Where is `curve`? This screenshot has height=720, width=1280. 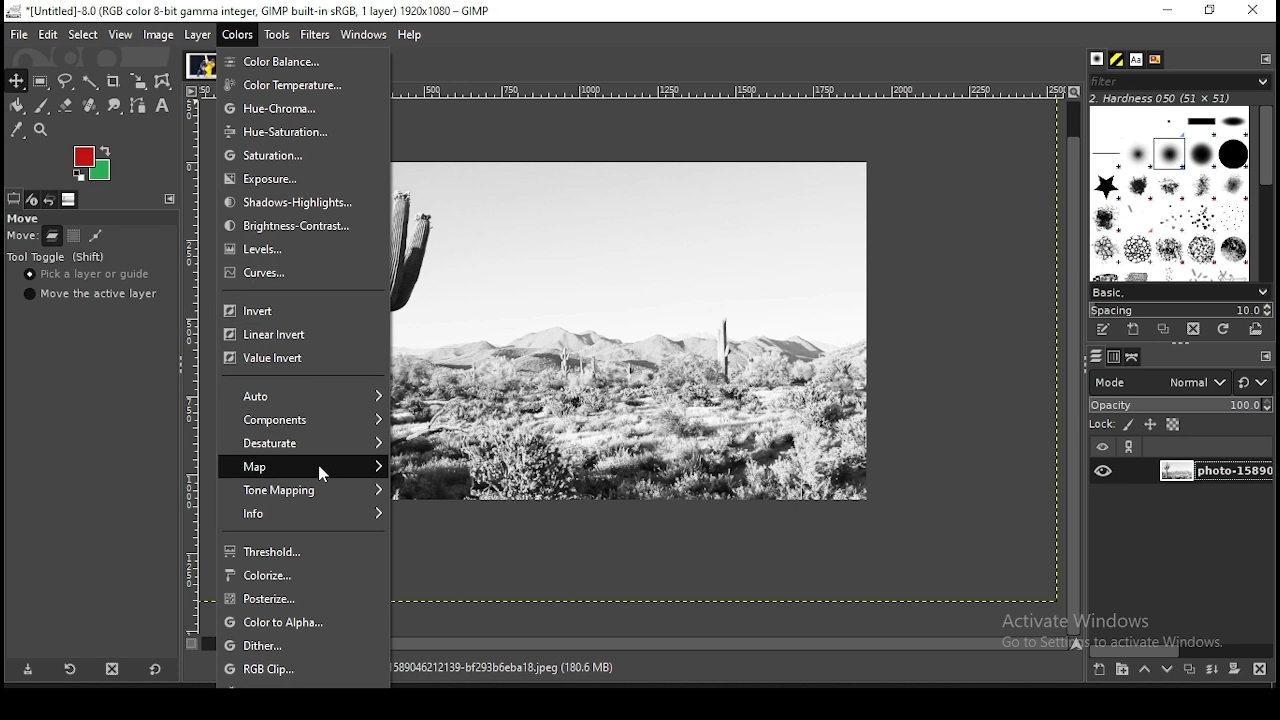
curve is located at coordinates (301, 279).